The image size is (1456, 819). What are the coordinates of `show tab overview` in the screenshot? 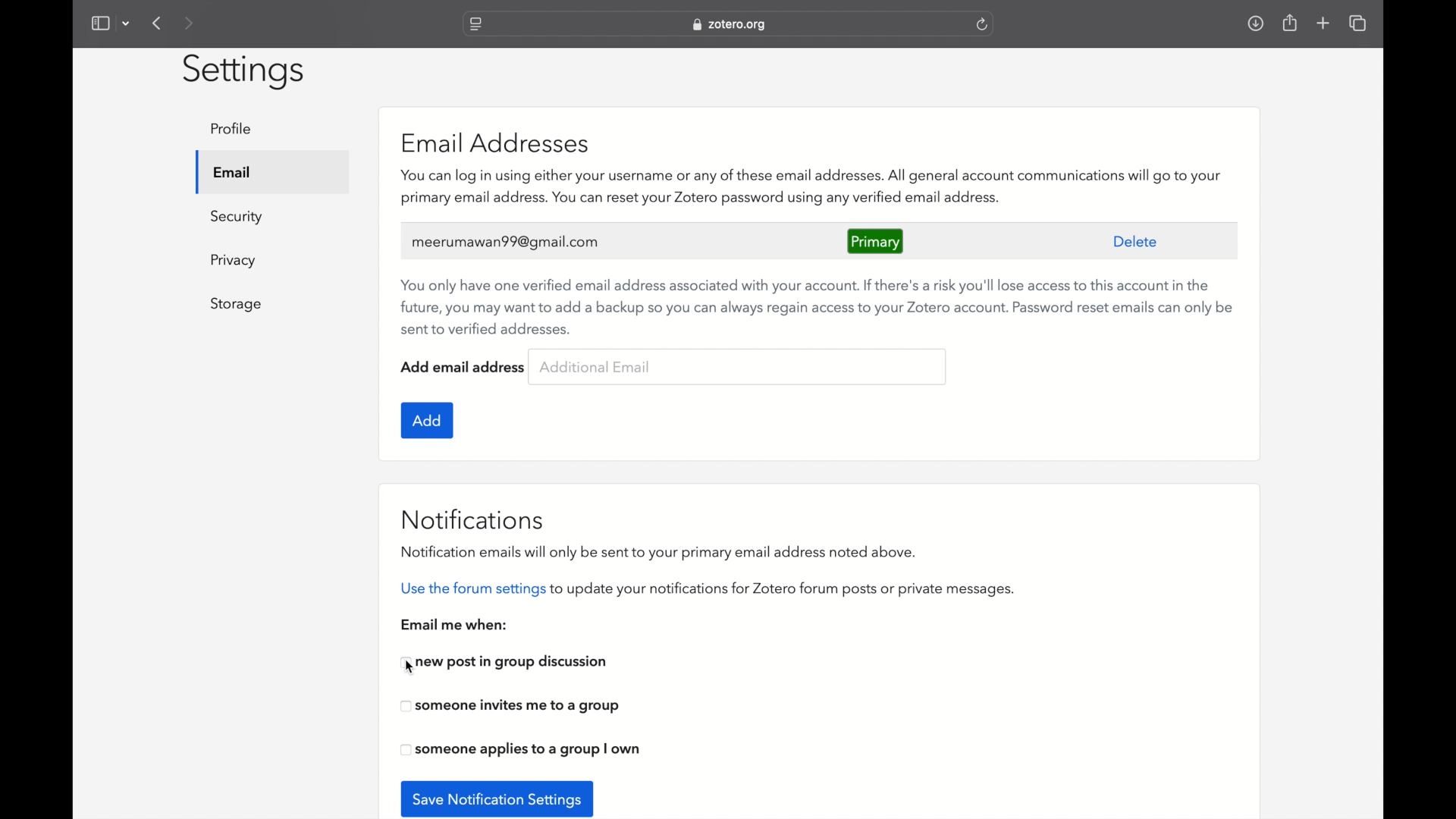 It's located at (1359, 23).